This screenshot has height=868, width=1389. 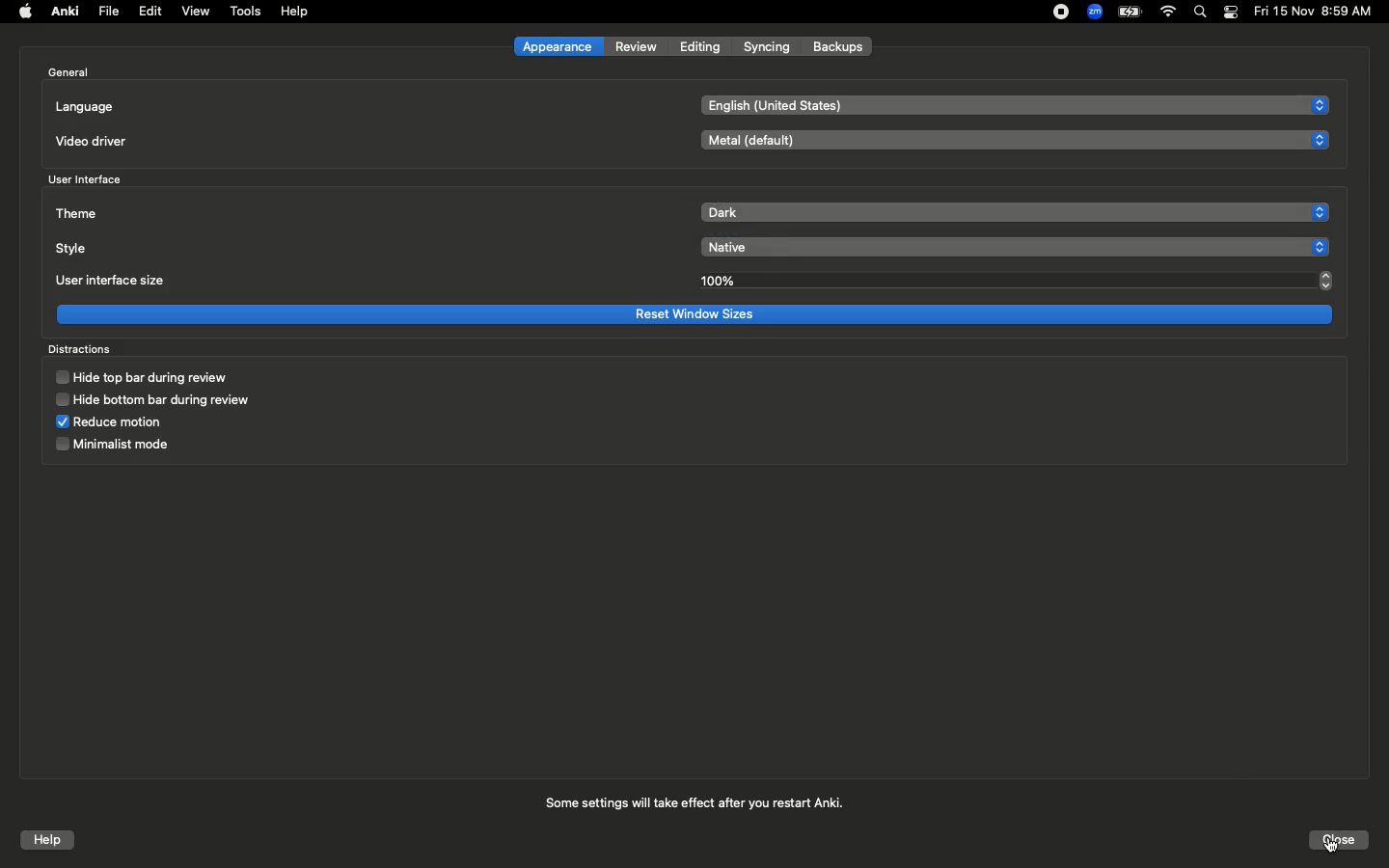 I want to click on User interface size, so click(x=112, y=281).